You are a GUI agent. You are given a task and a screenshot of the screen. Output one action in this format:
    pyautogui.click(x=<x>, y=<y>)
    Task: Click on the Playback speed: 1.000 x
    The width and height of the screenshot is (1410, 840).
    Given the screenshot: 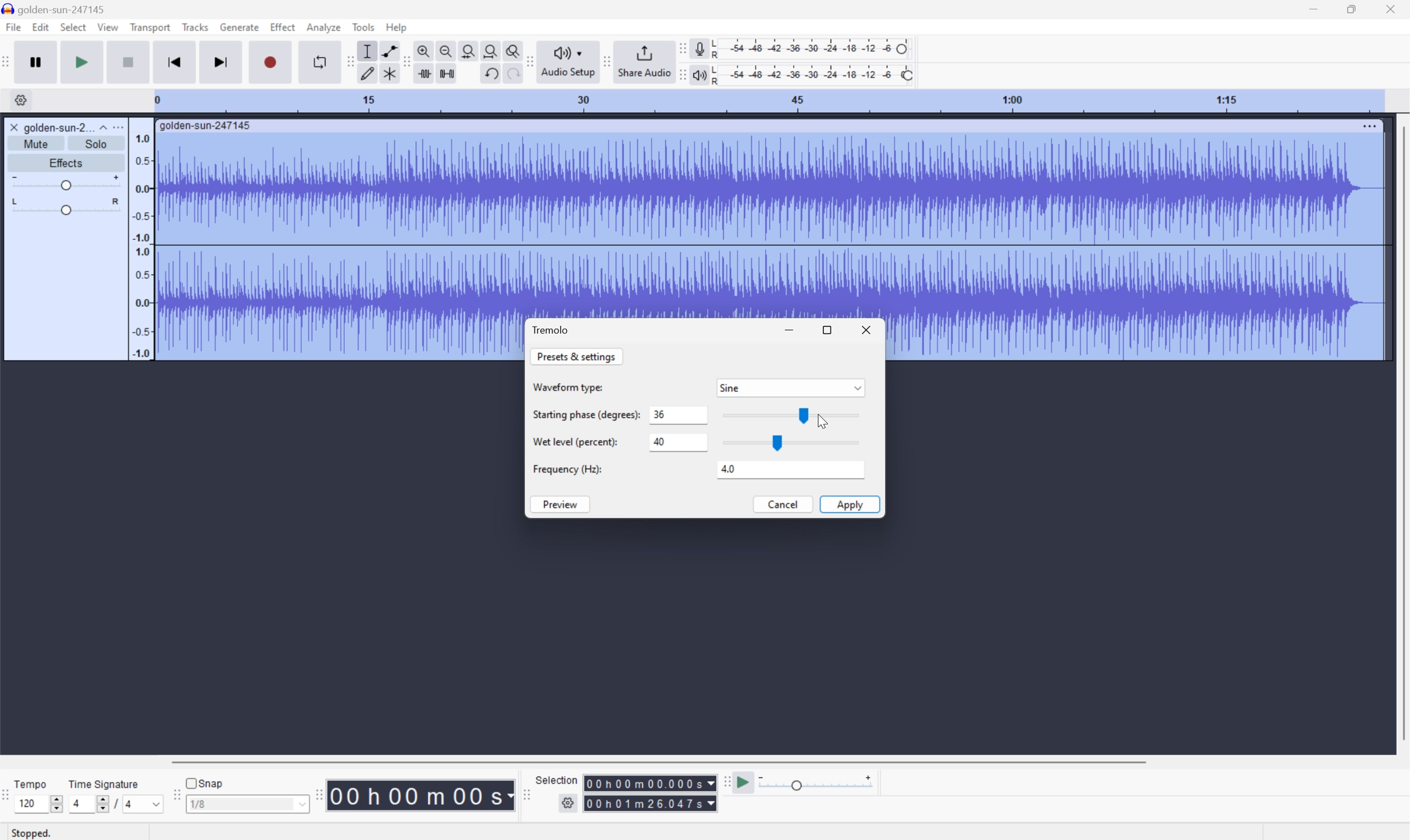 What is the action you would take?
    pyautogui.click(x=818, y=781)
    